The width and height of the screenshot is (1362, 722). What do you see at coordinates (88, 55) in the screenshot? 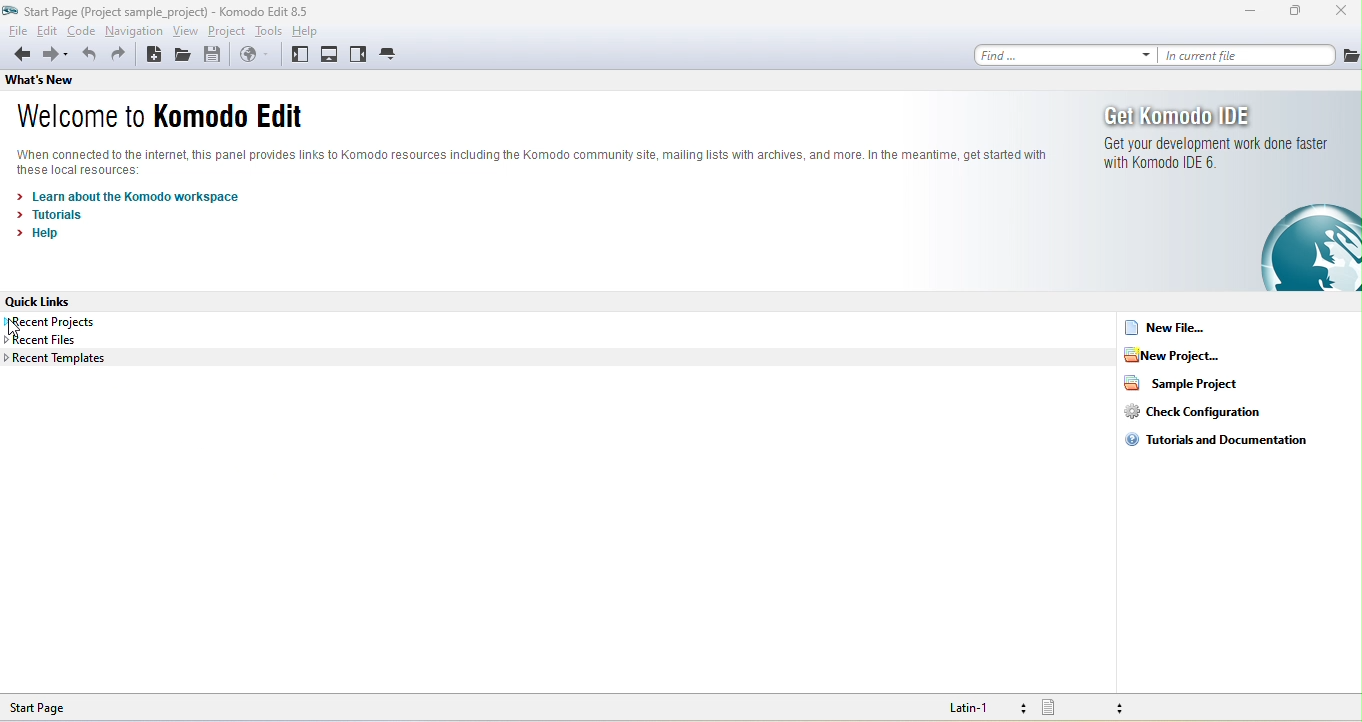
I see `undo` at bounding box center [88, 55].